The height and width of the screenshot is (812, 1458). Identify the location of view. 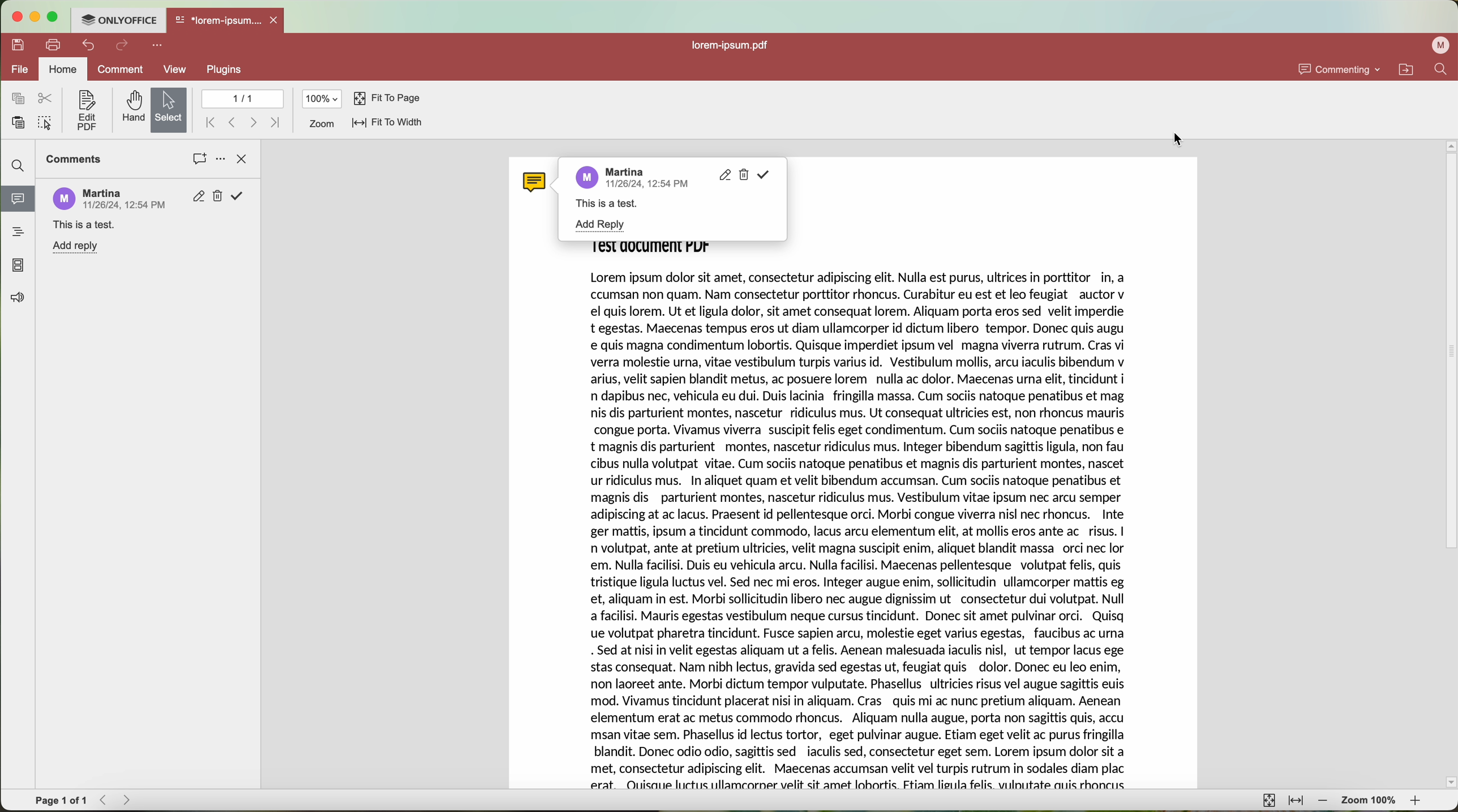
(177, 69).